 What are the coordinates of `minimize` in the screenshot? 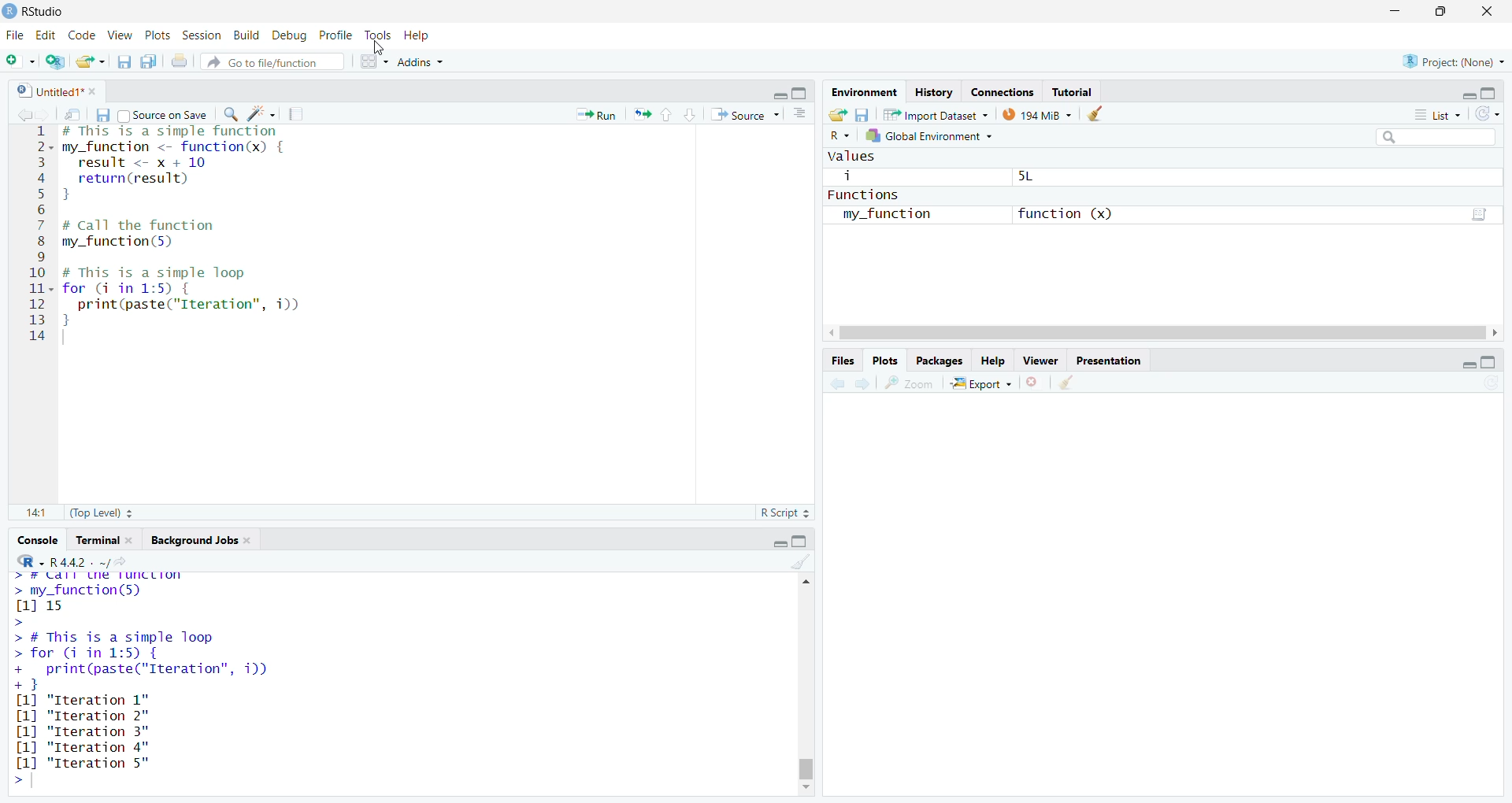 It's located at (776, 94).